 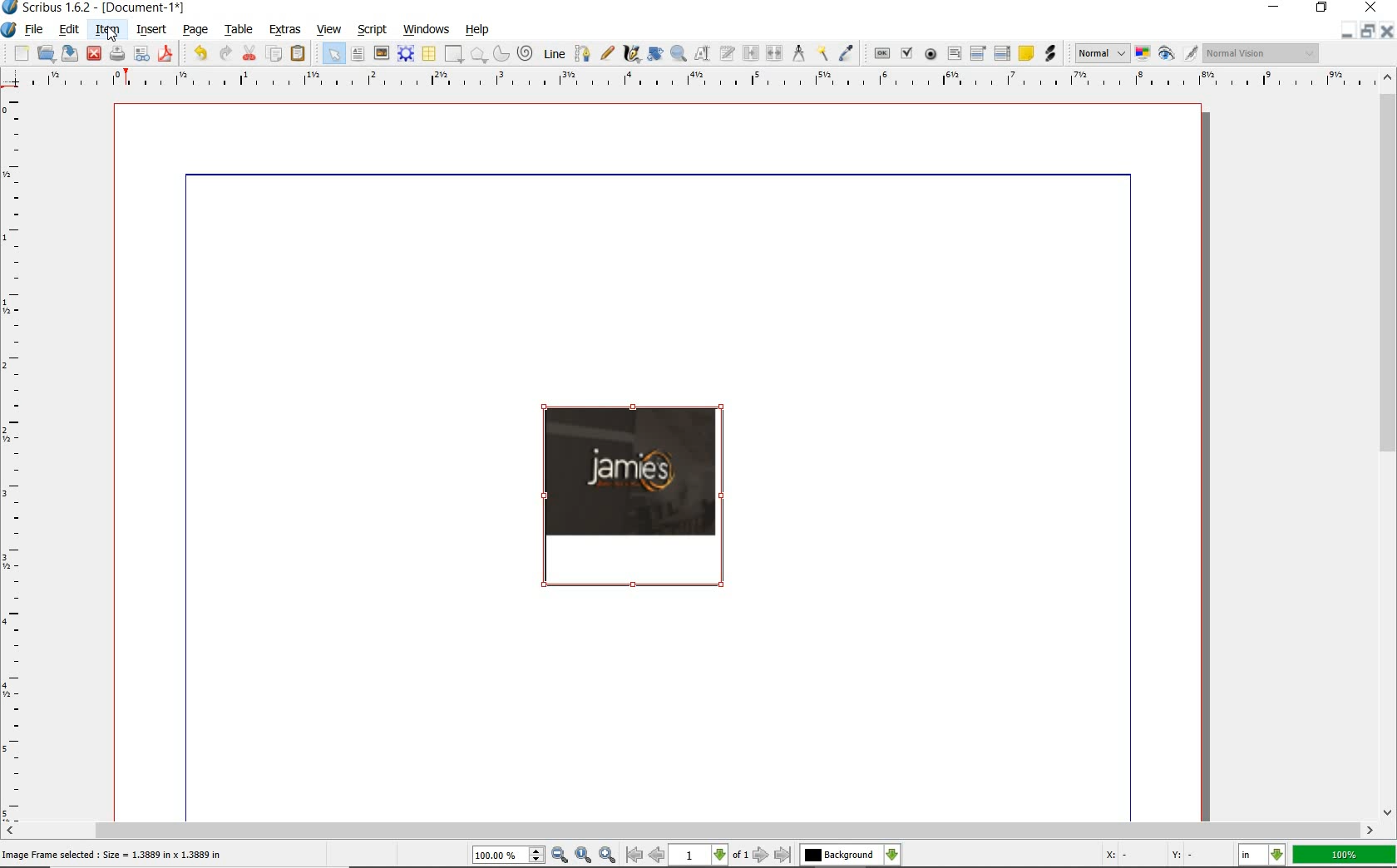 What do you see at coordinates (111, 33) in the screenshot?
I see `Cursor Position` at bounding box center [111, 33].